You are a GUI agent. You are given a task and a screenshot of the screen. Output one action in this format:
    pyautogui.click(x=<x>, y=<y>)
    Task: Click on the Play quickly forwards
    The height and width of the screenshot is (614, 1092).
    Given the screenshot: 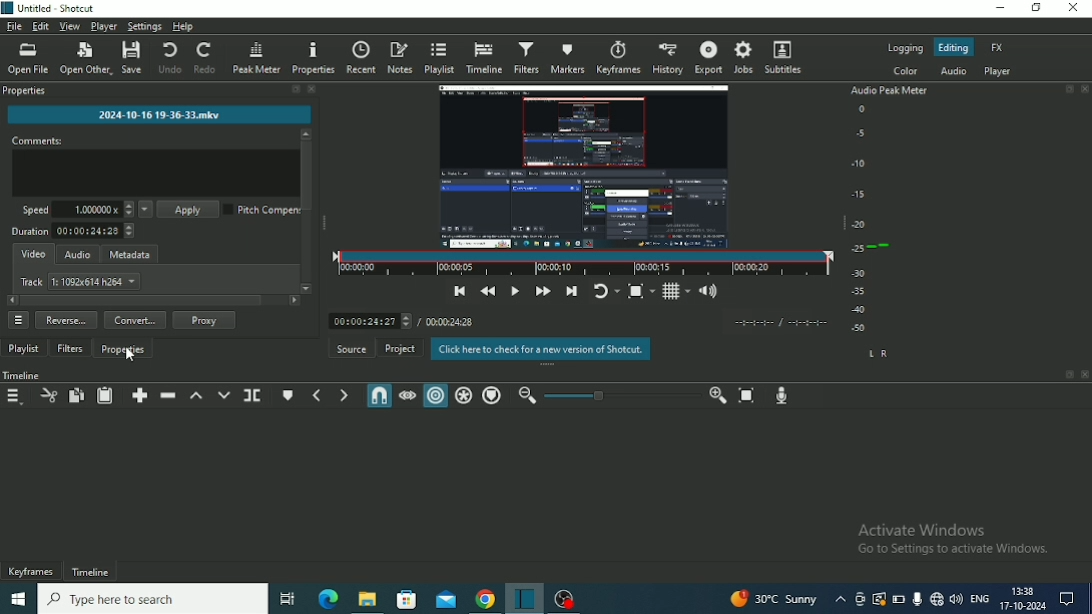 What is the action you would take?
    pyautogui.click(x=543, y=291)
    